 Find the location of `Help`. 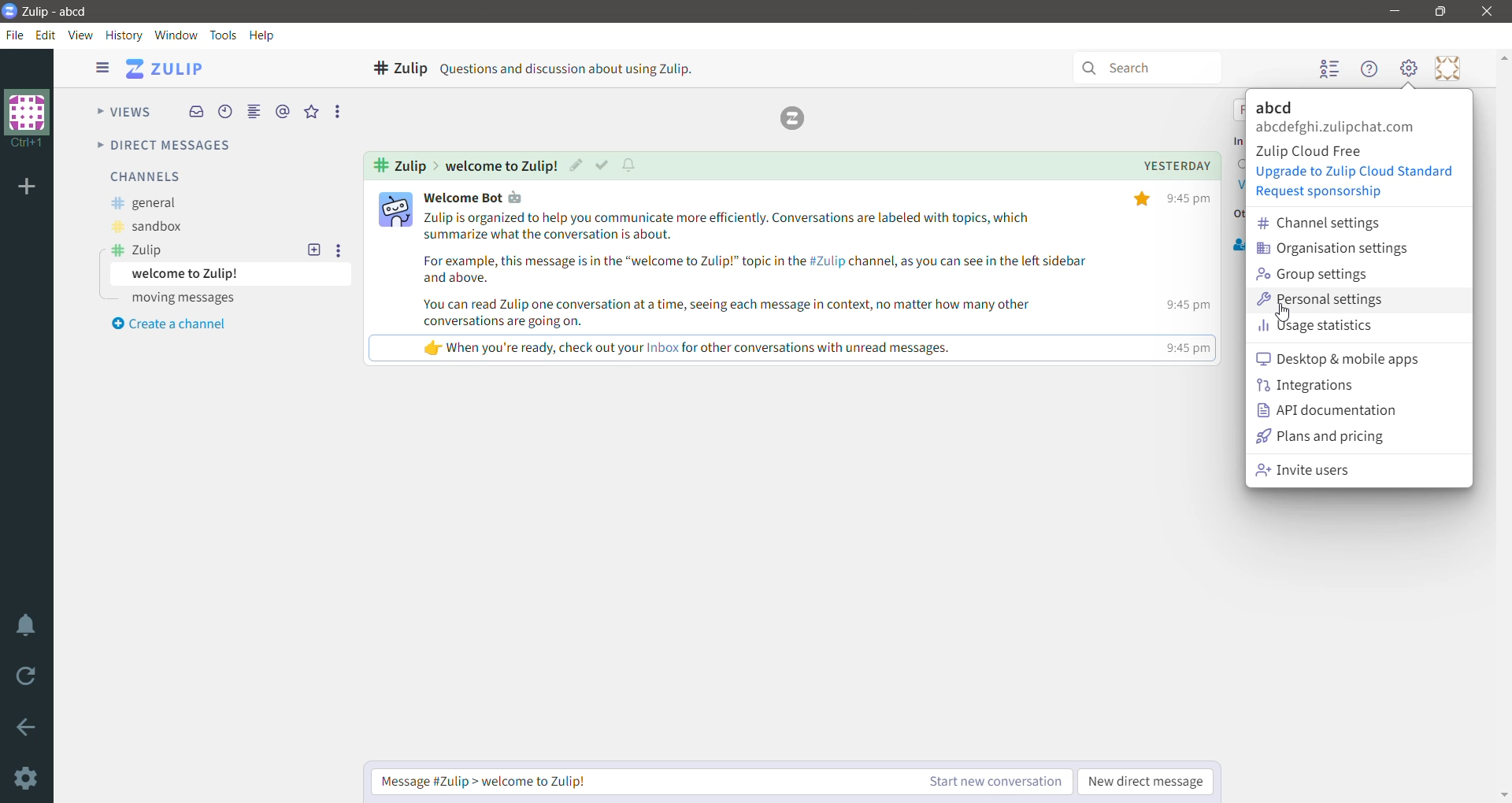

Help is located at coordinates (264, 35).